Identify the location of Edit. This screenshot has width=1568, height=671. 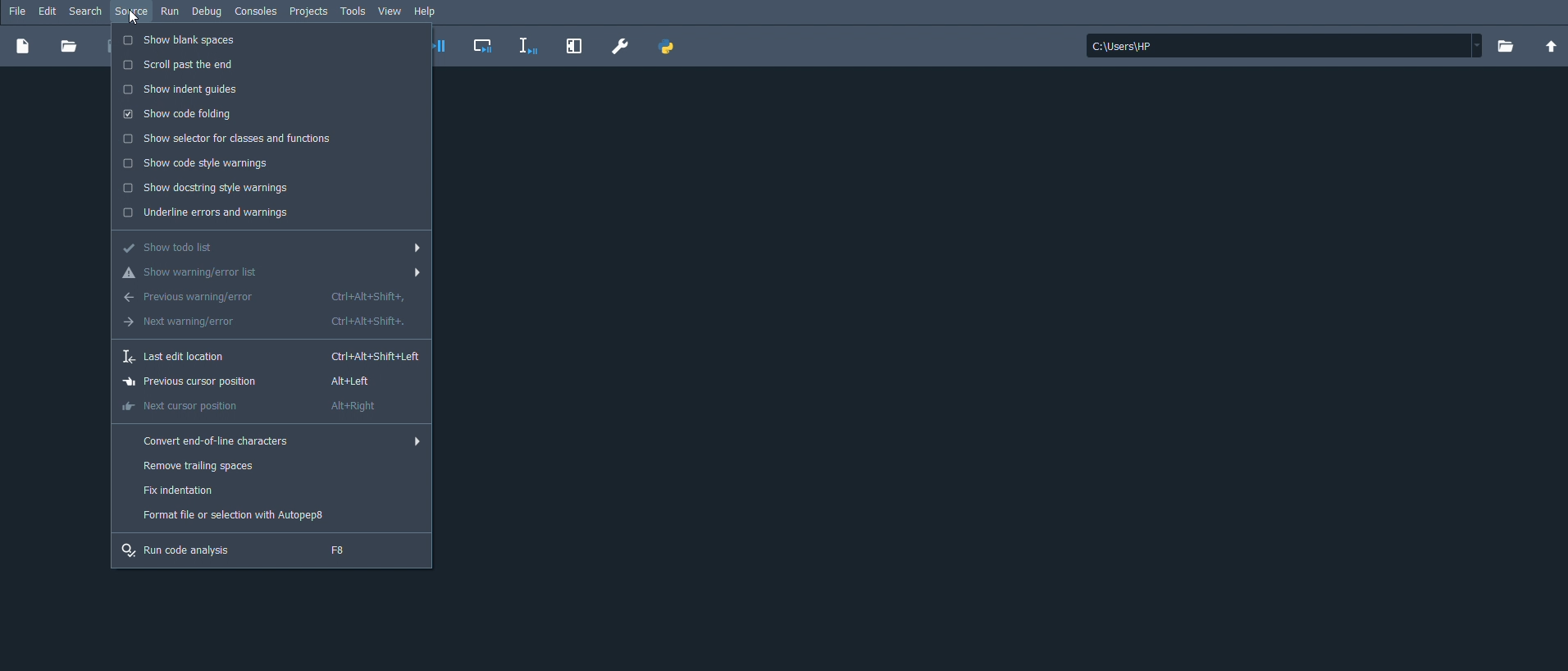
(48, 11).